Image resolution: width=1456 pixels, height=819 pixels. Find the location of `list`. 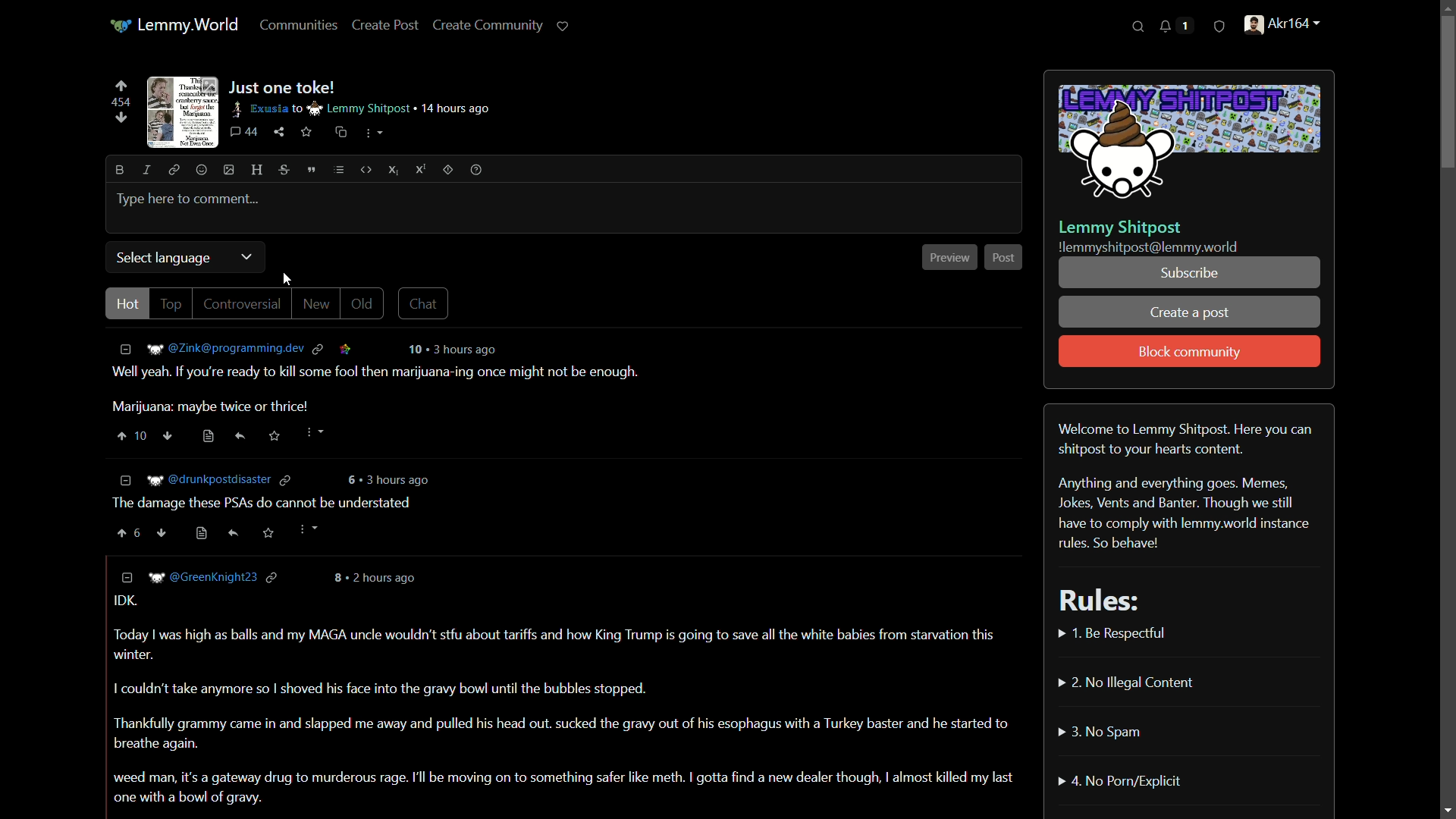

list is located at coordinates (339, 171).